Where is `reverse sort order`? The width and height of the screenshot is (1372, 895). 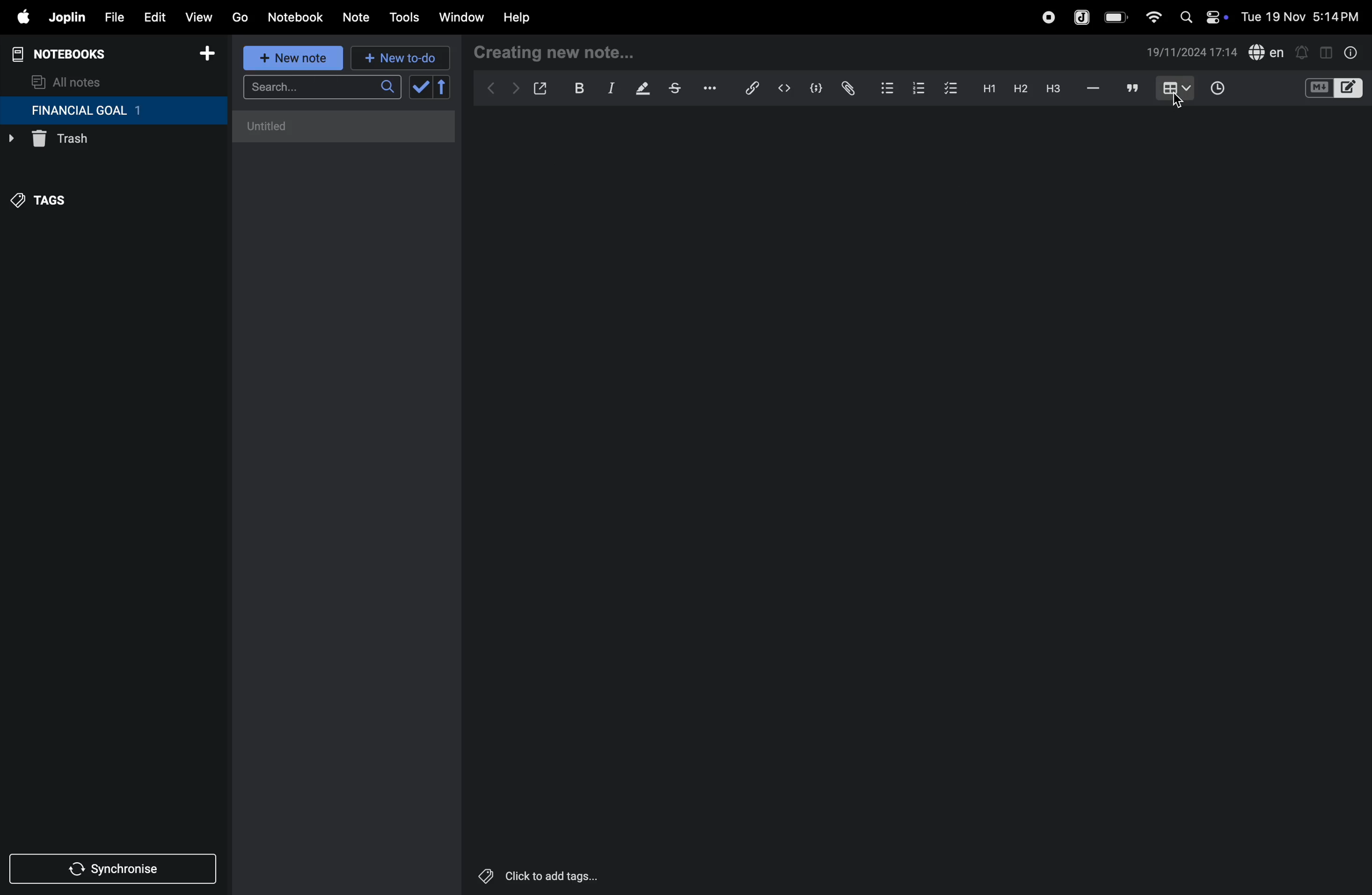
reverse sort order is located at coordinates (443, 87).